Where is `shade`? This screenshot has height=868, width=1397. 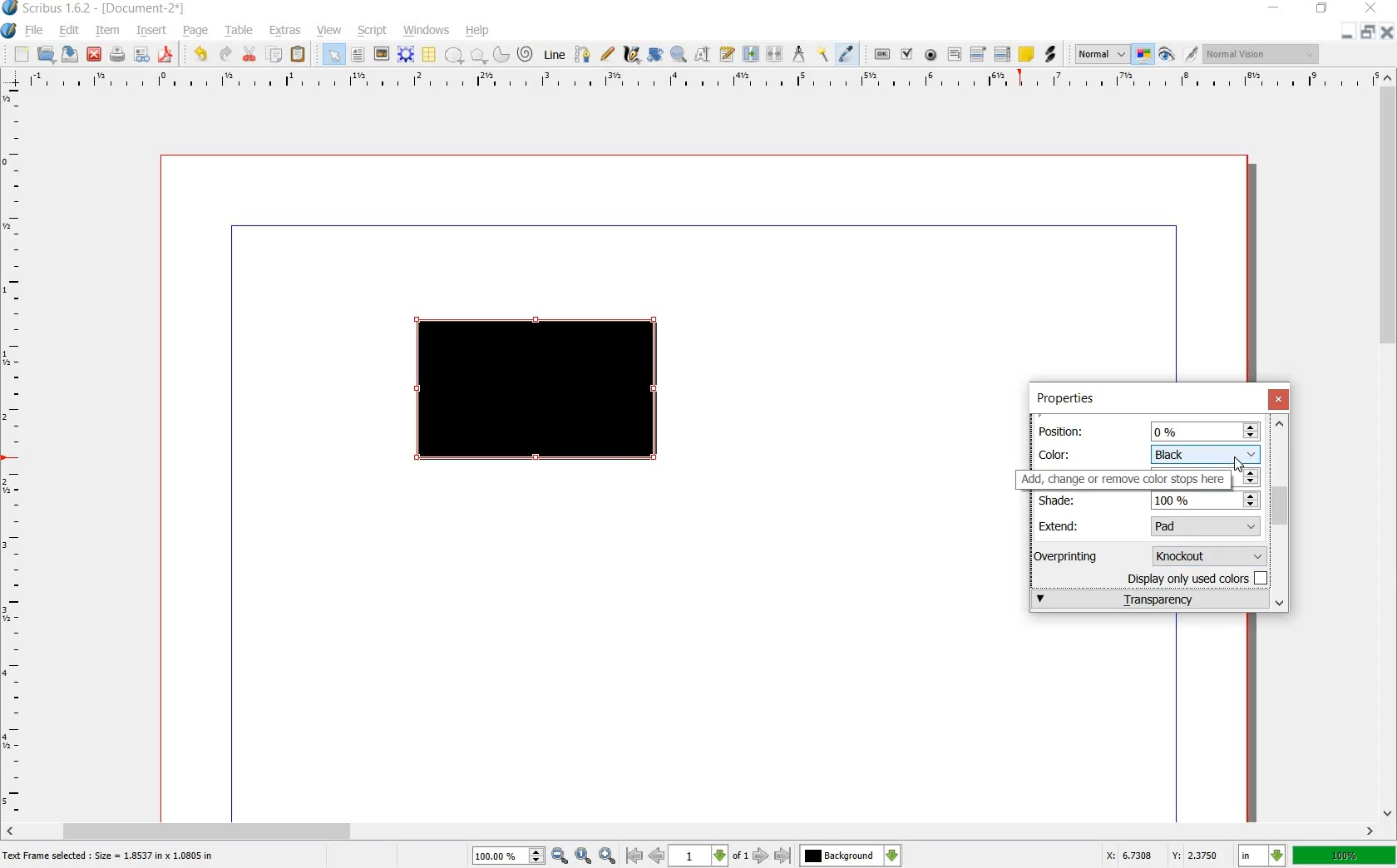
shade is located at coordinates (1064, 500).